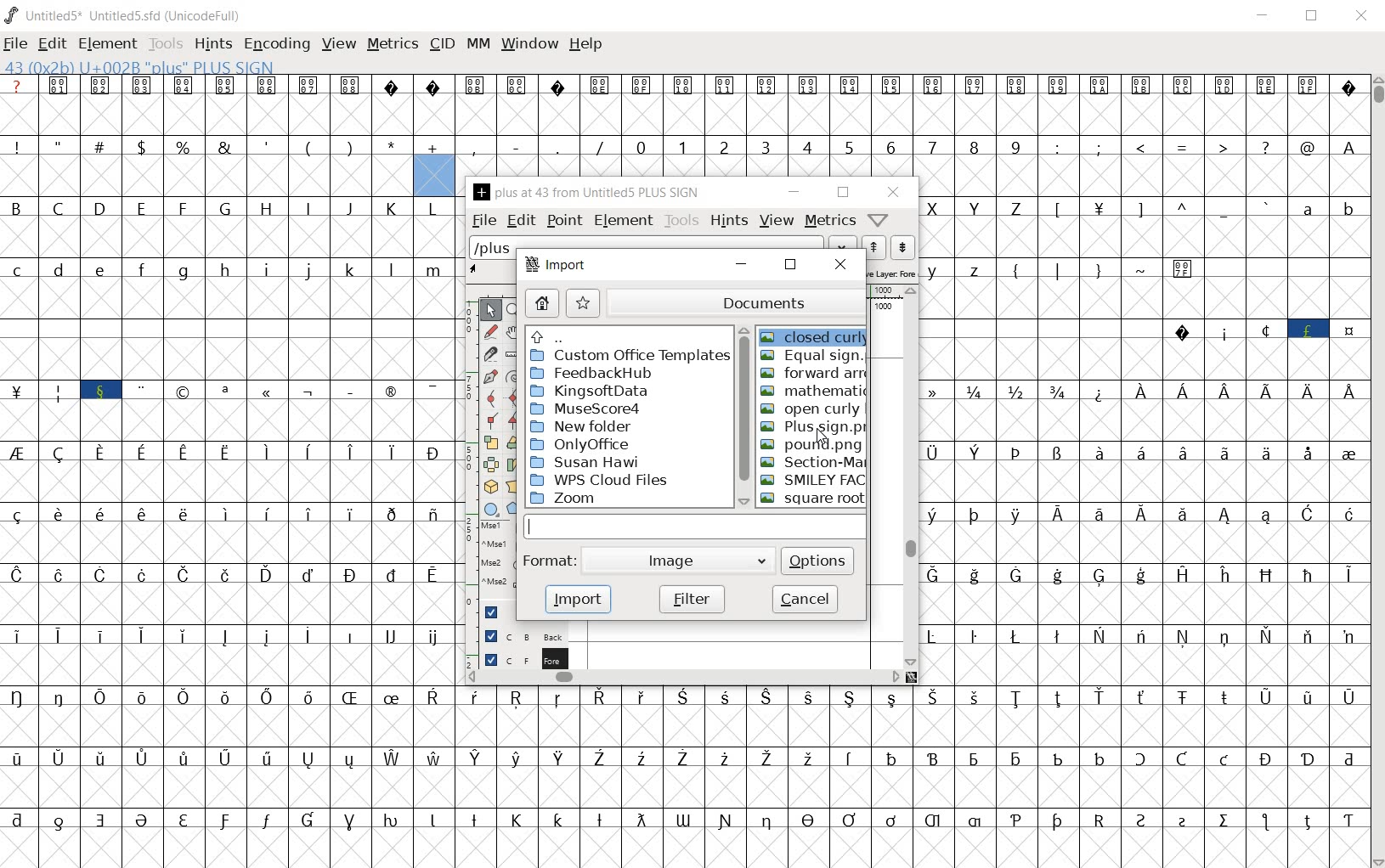 The width and height of the screenshot is (1385, 868). I want to click on Guide, so click(492, 612).